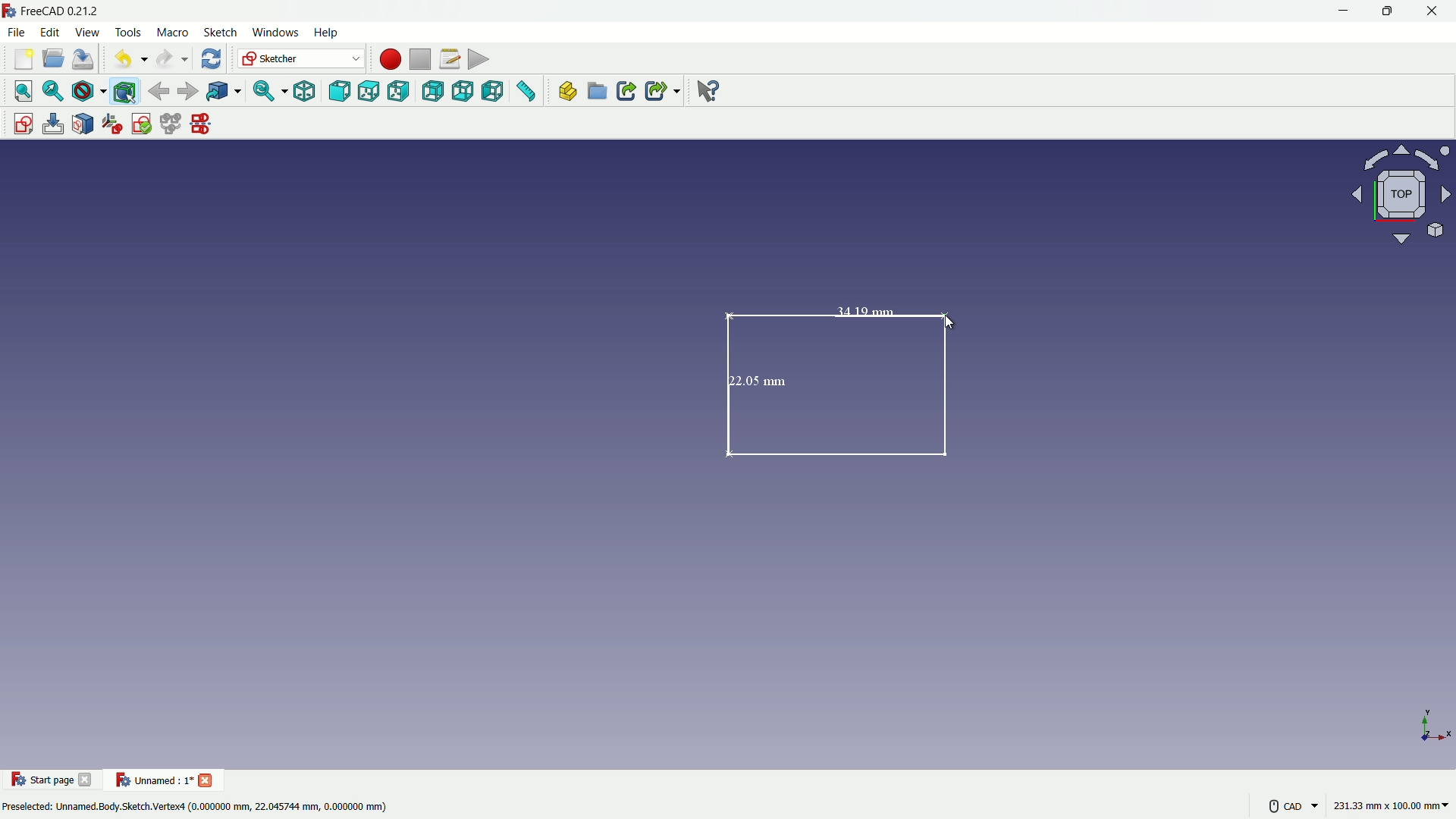  I want to click on create part, so click(564, 93).